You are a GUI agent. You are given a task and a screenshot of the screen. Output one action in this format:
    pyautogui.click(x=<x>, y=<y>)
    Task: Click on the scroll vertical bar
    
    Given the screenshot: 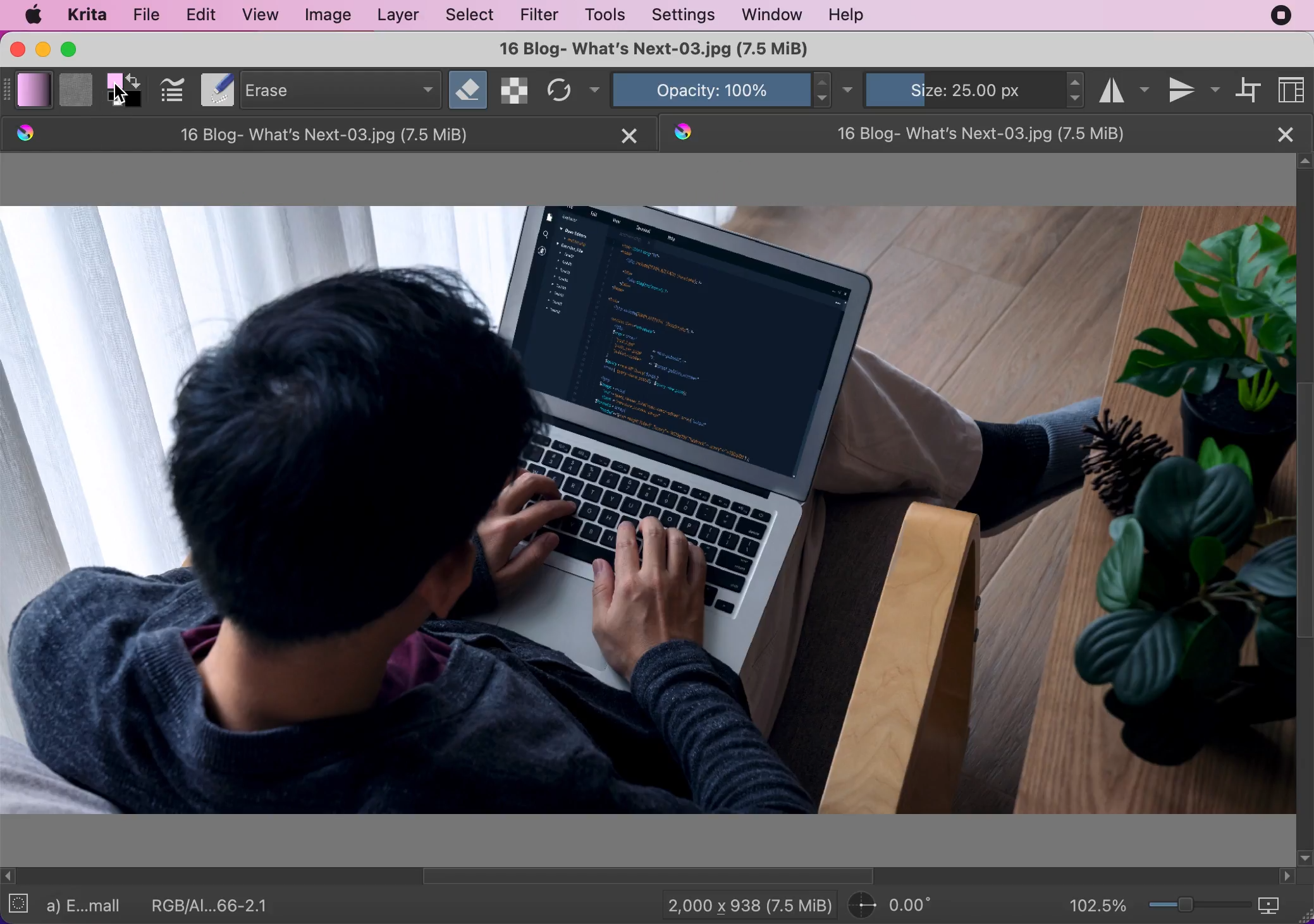 What is the action you would take?
    pyautogui.click(x=1306, y=508)
    